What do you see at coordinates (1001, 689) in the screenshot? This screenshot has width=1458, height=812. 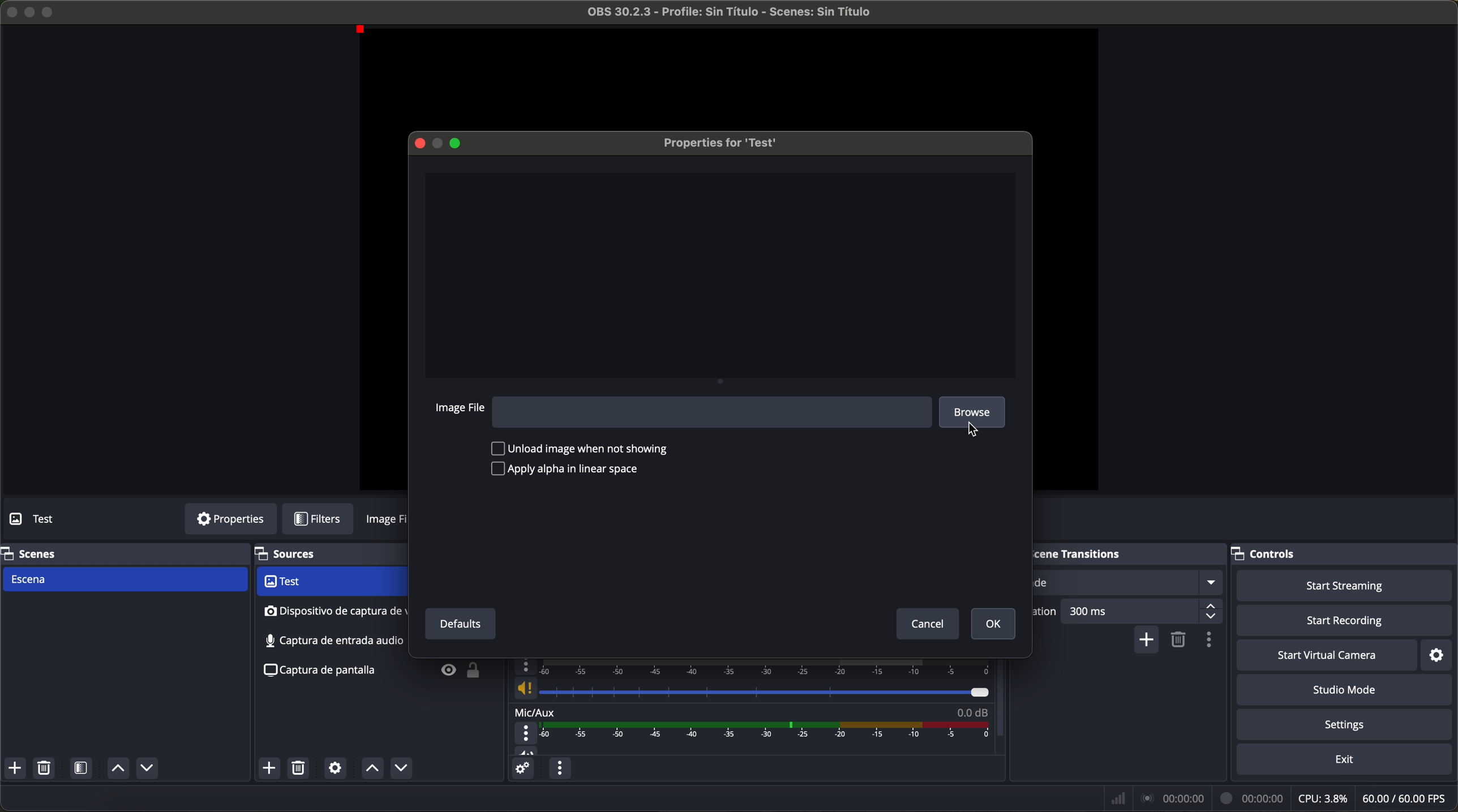 I see `scroll down` at bounding box center [1001, 689].